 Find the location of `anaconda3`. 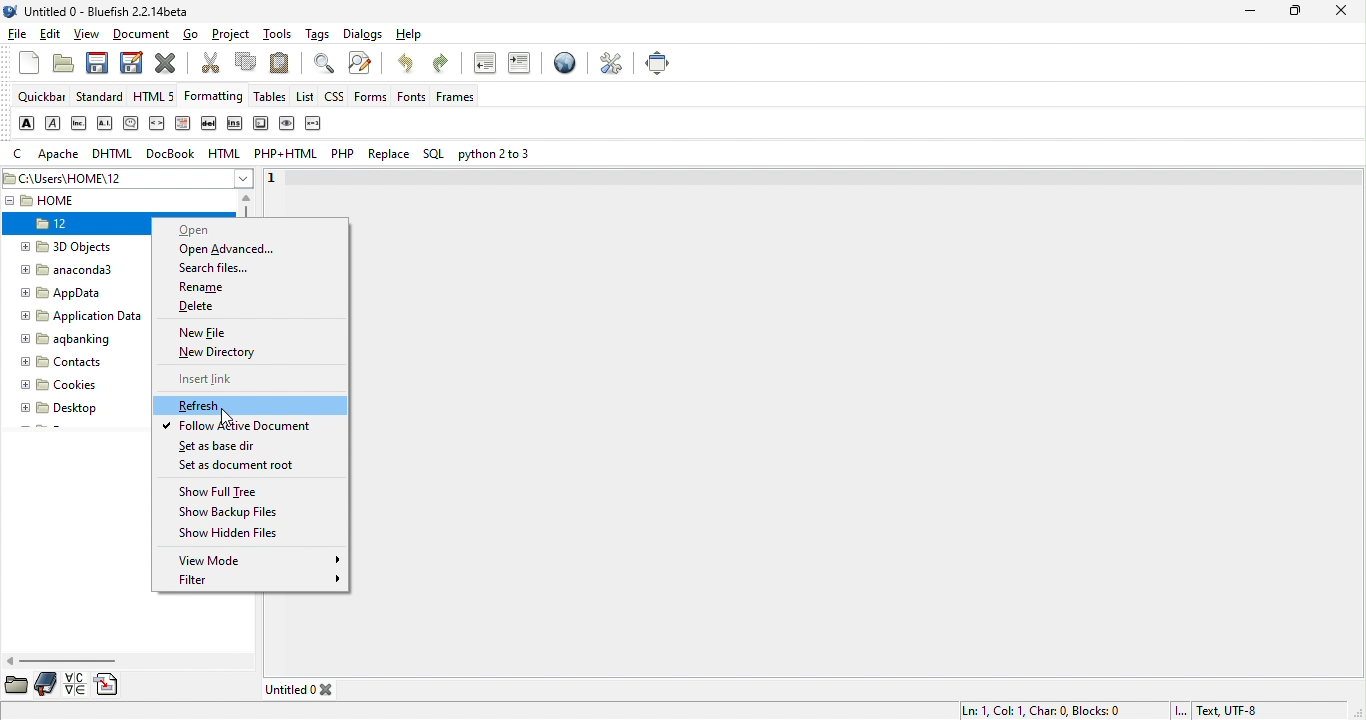

anaconda3 is located at coordinates (81, 272).